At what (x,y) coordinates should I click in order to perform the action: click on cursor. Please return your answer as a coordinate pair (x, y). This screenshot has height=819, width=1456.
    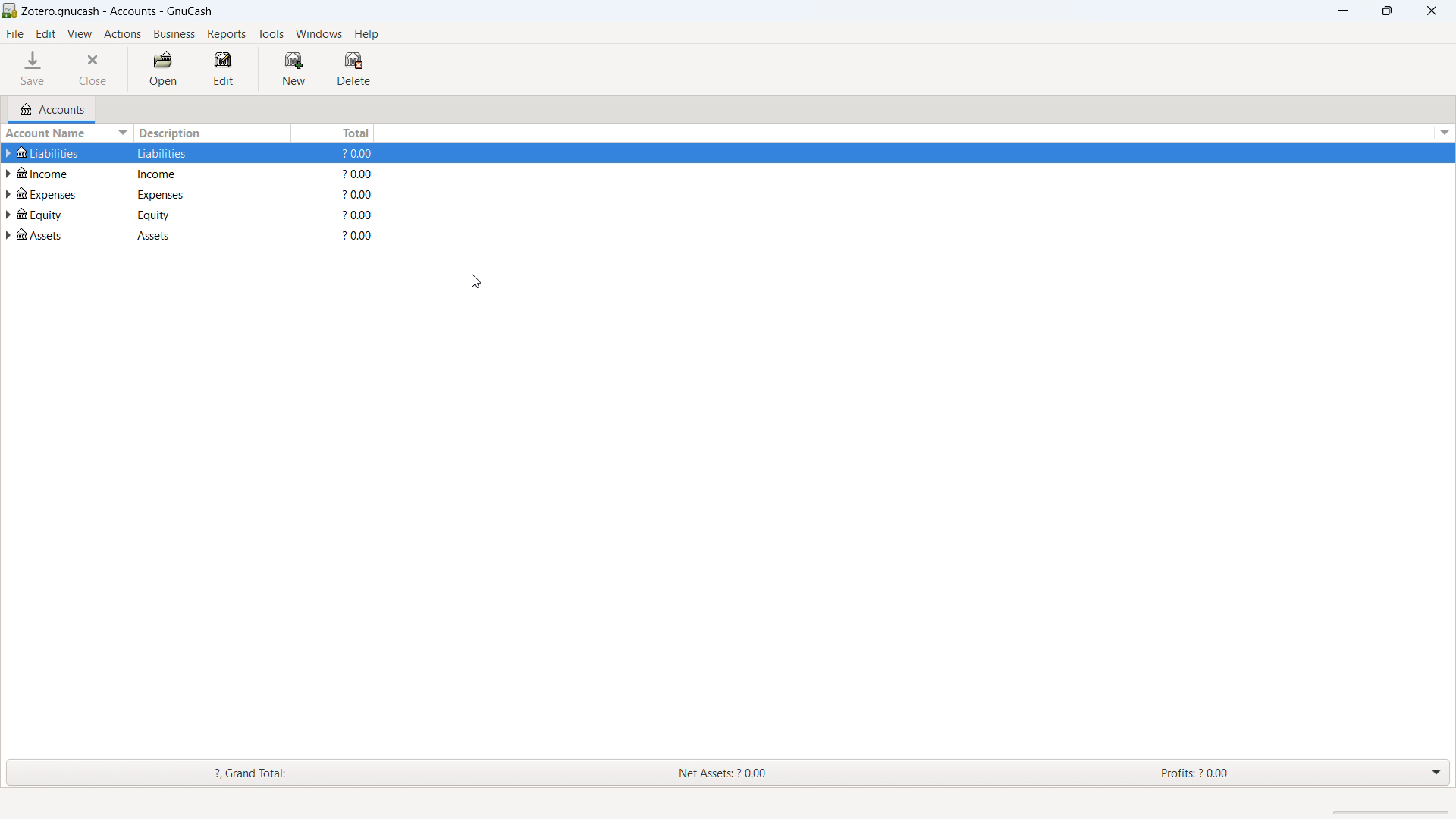
    Looking at the image, I should click on (475, 281).